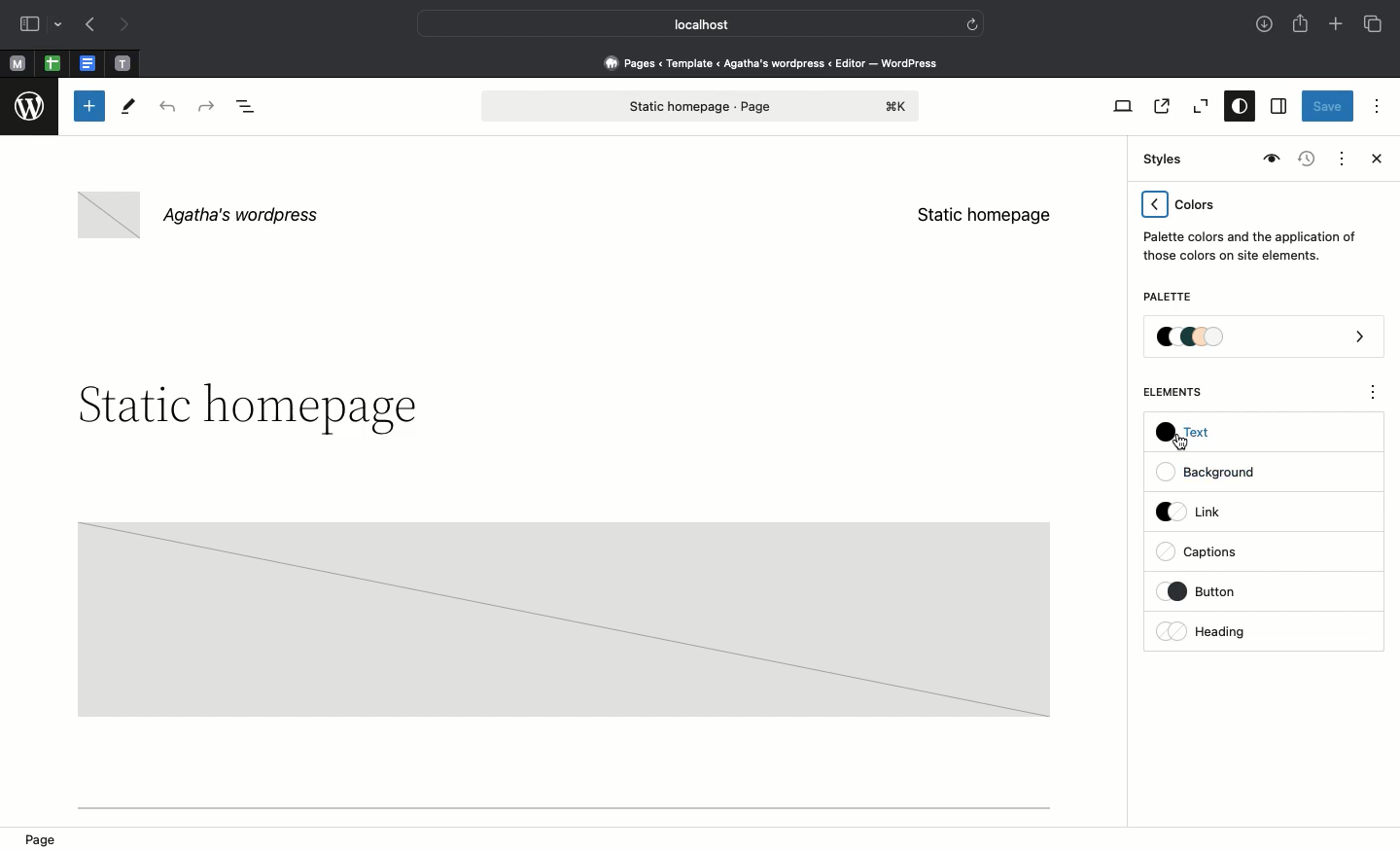 The image size is (1400, 850). I want to click on Settings, so click(1277, 107).